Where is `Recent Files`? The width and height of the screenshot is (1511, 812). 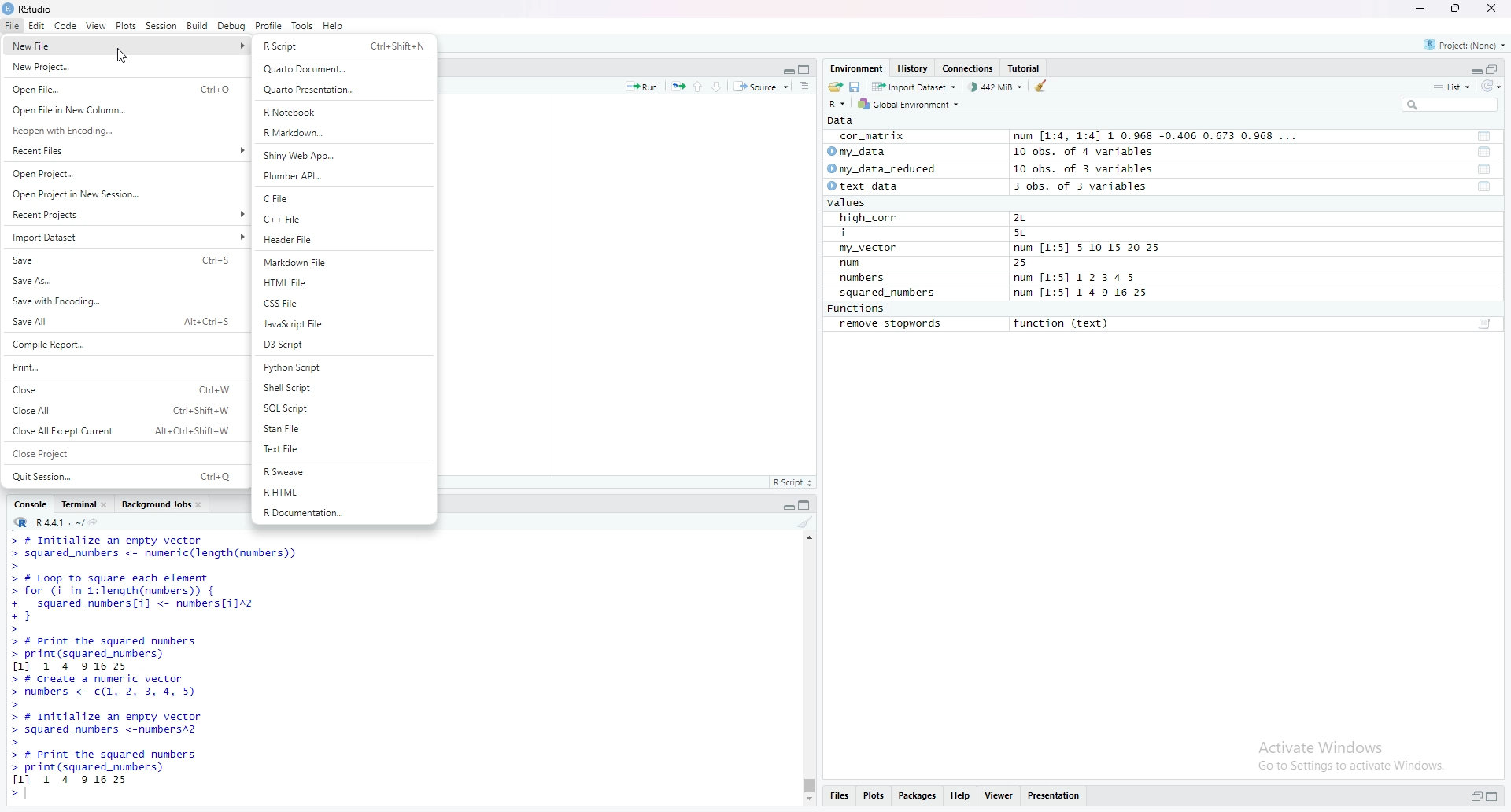
Recent Files is located at coordinates (124, 150).